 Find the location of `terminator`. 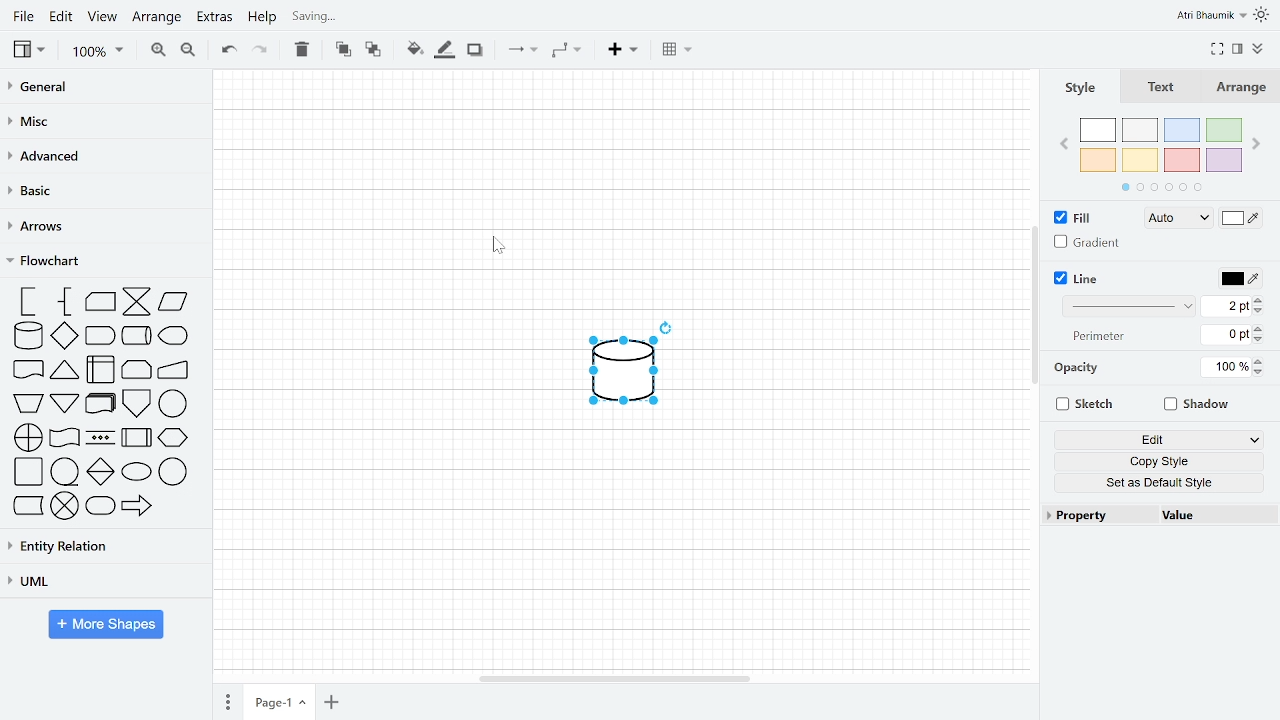

terminator is located at coordinates (100, 508).